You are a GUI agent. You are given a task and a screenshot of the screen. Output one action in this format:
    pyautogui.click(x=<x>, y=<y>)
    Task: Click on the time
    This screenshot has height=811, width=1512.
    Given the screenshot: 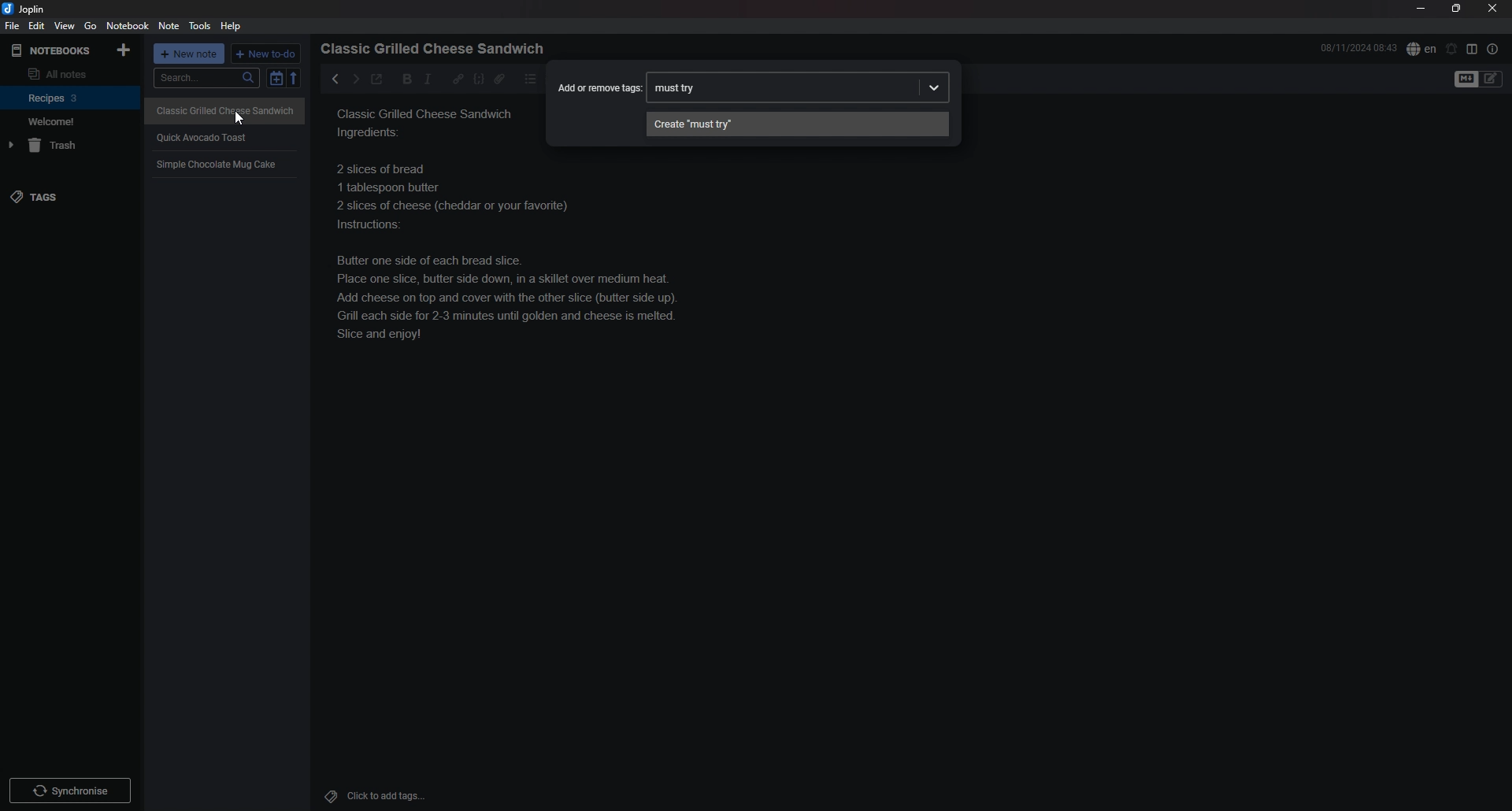 What is the action you would take?
    pyautogui.click(x=1358, y=47)
    